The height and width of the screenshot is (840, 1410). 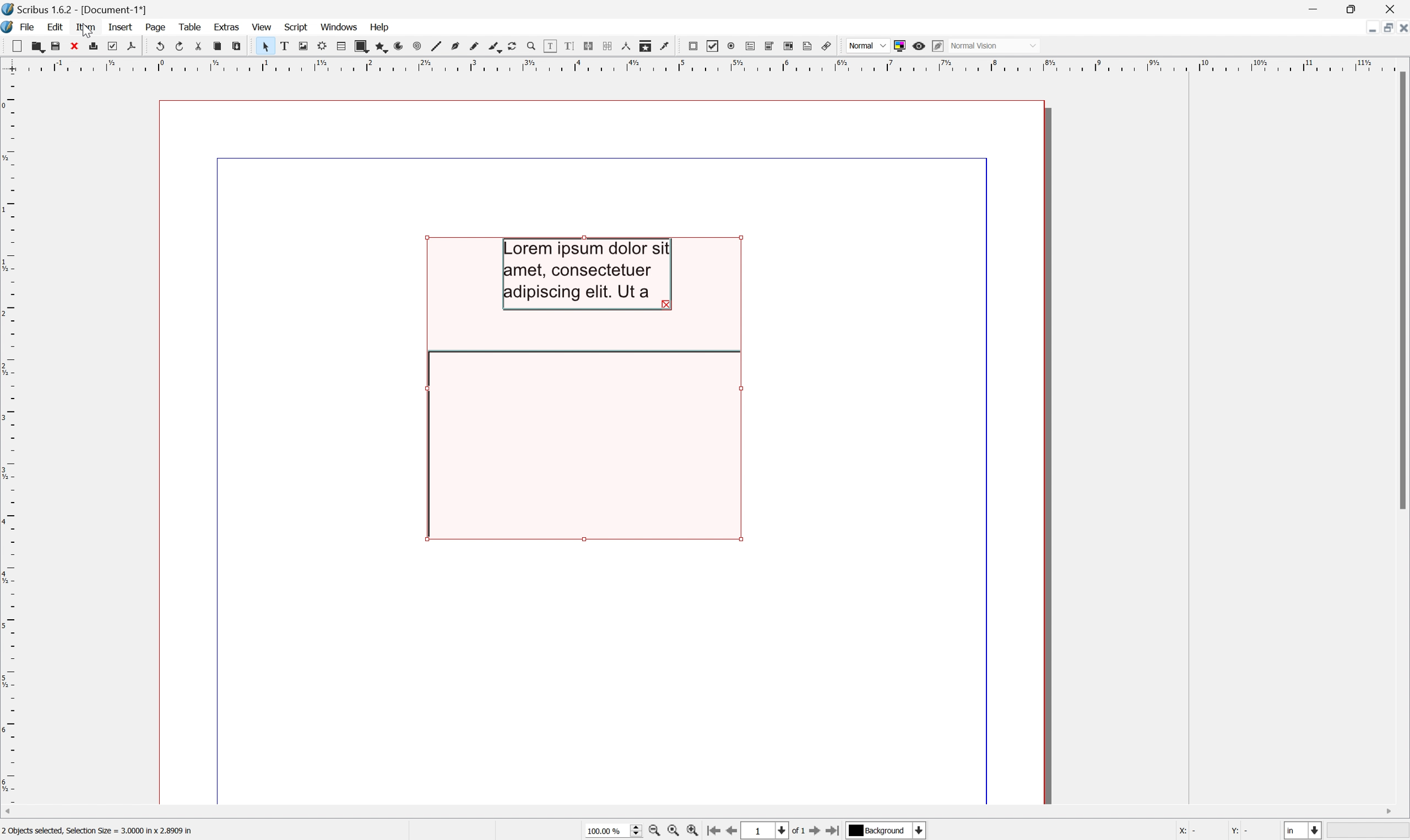 I want to click on Image frame, so click(x=301, y=45).